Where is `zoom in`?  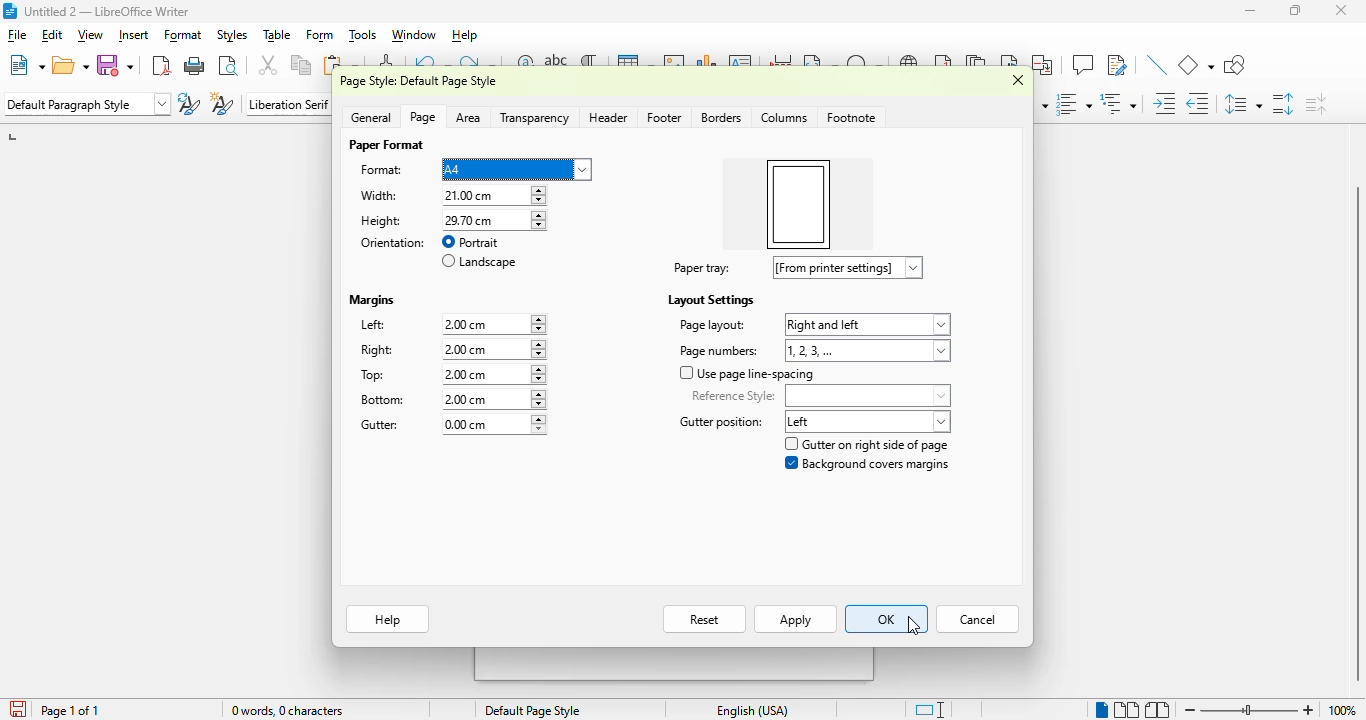
zoom in is located at coordinates (1309, 710).